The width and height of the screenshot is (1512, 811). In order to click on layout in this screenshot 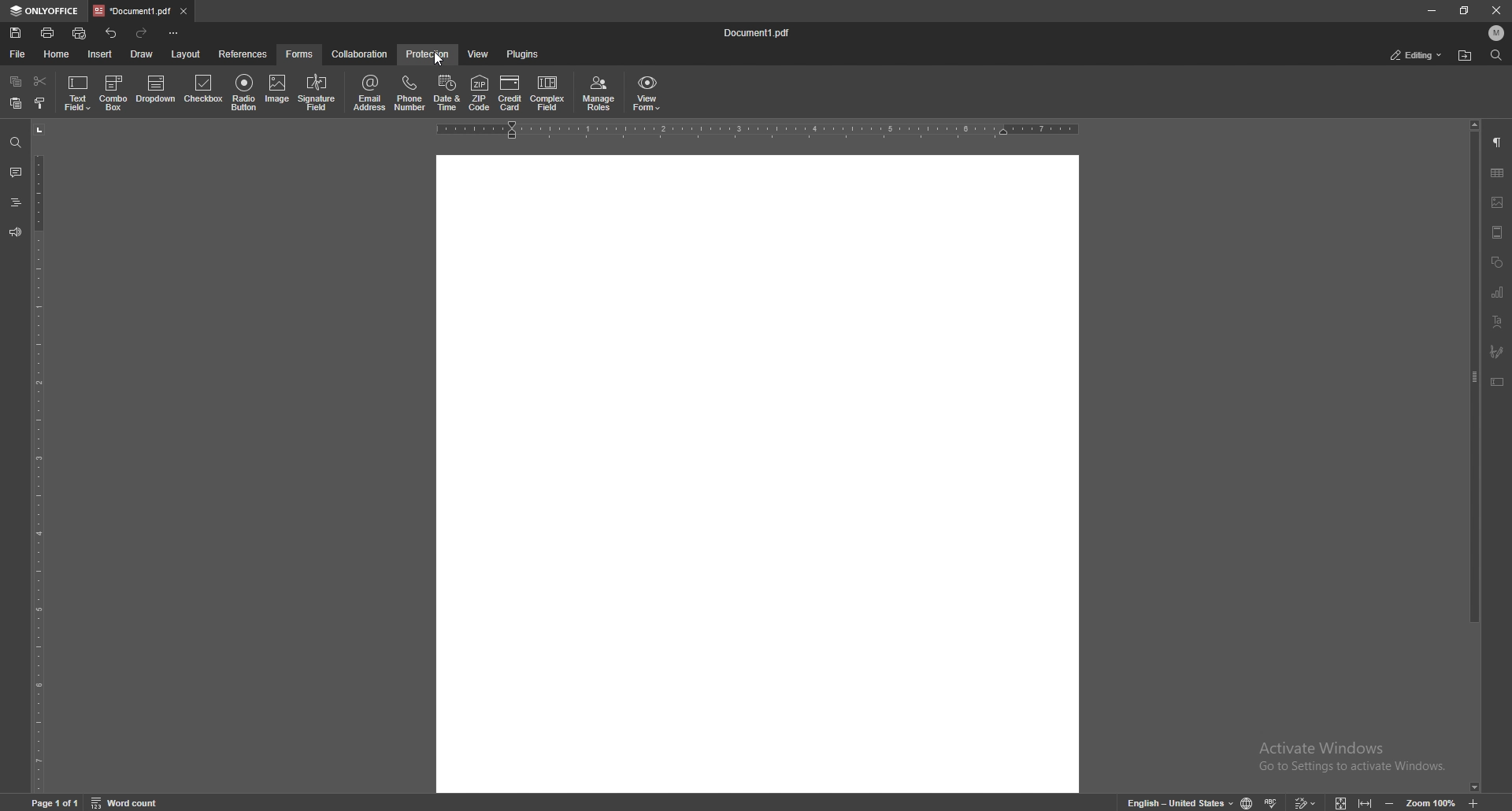, I will do `click(185, 55)`.